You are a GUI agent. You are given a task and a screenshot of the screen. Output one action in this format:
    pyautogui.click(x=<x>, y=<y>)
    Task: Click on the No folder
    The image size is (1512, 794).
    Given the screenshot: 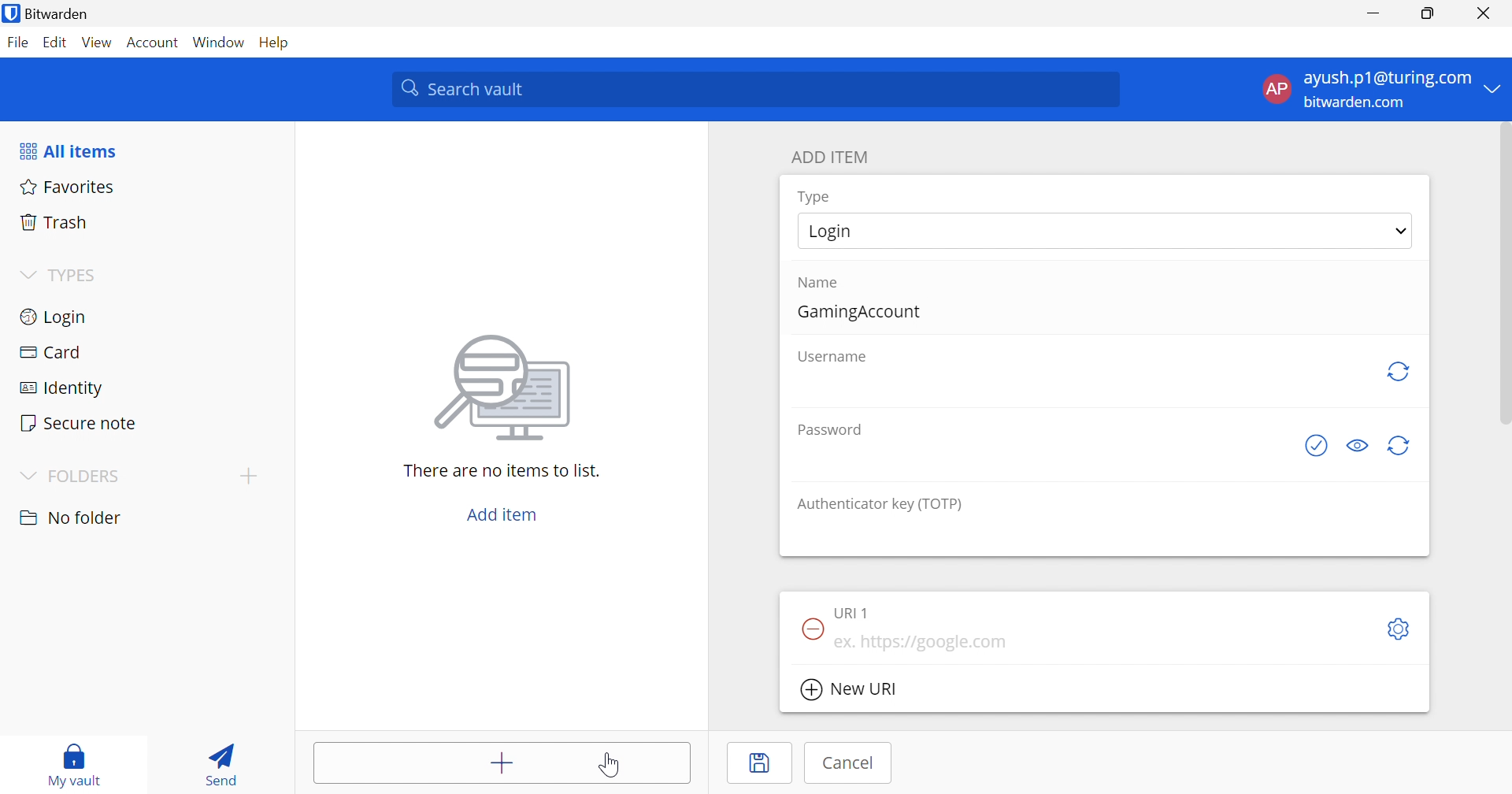 What is the action you would take?
    pyautogui.click(x=73, y=518)
    